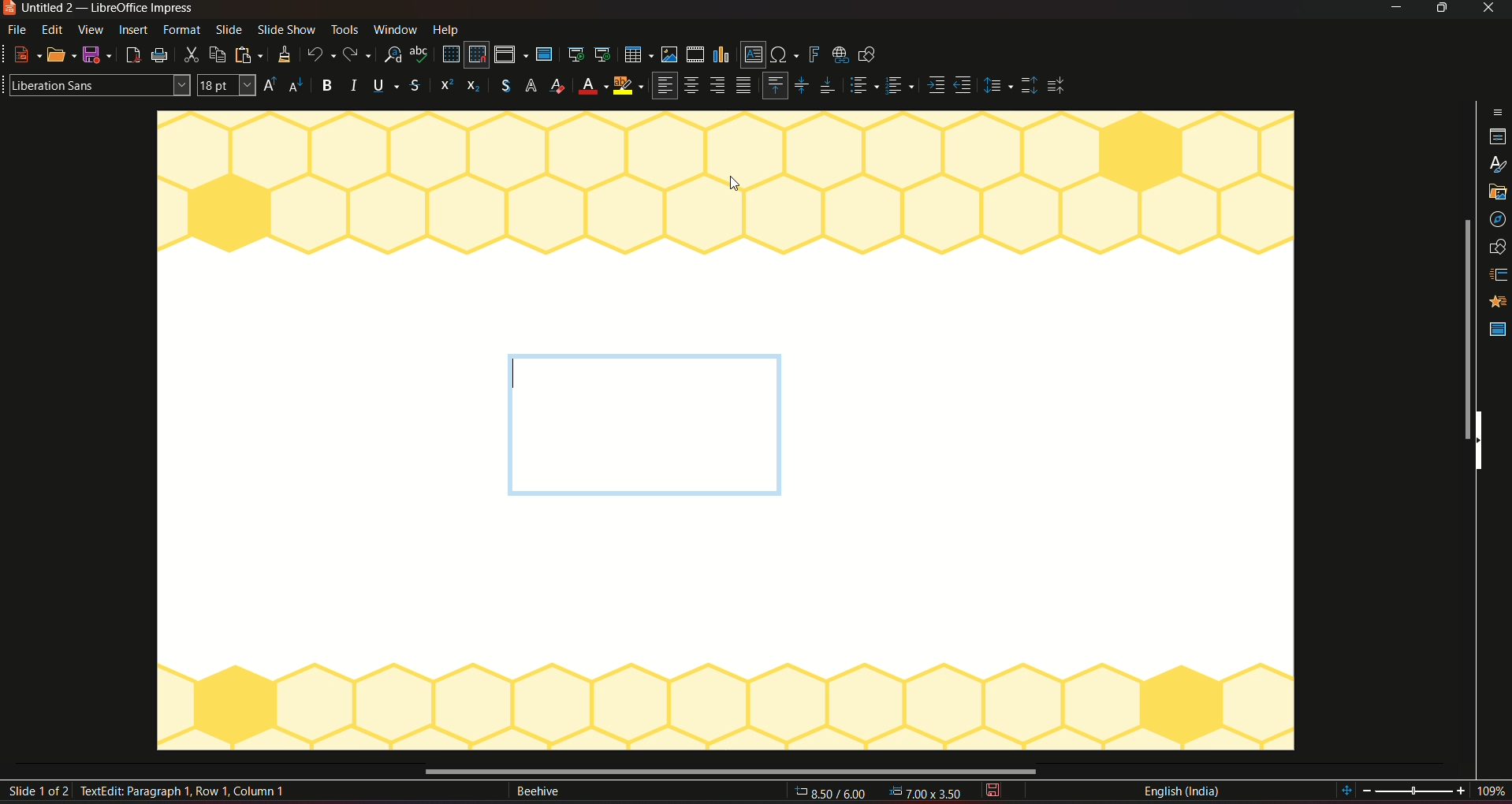 Image resolution: width=1512 pixels, height=804 pixels. What do you see at coordinates (136, 793) in the screenshot?
I see `create text frame` at bounding box center [136, 793].